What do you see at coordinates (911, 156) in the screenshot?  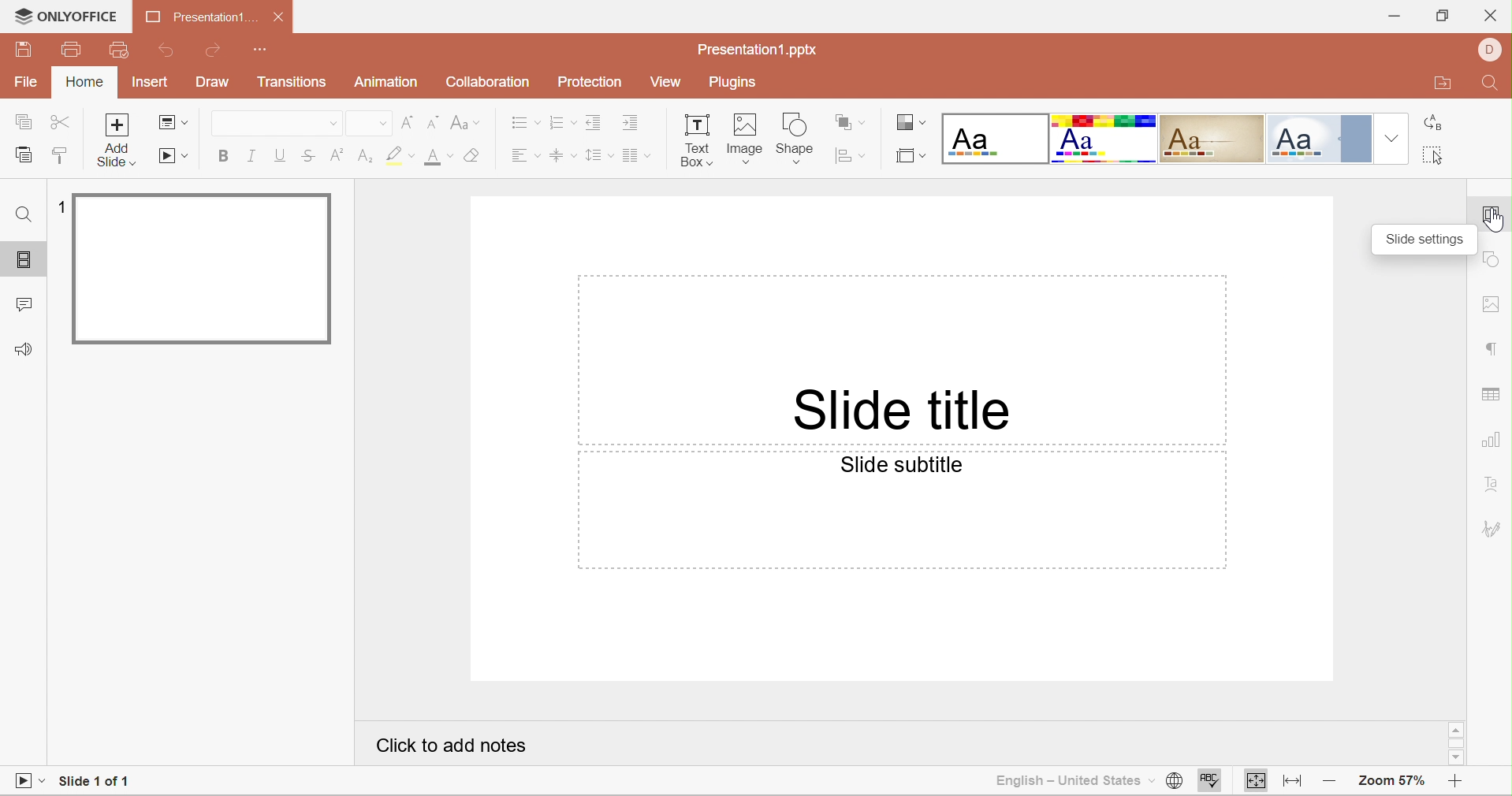 I see `Select slide size` at bounding box center [911, 156].